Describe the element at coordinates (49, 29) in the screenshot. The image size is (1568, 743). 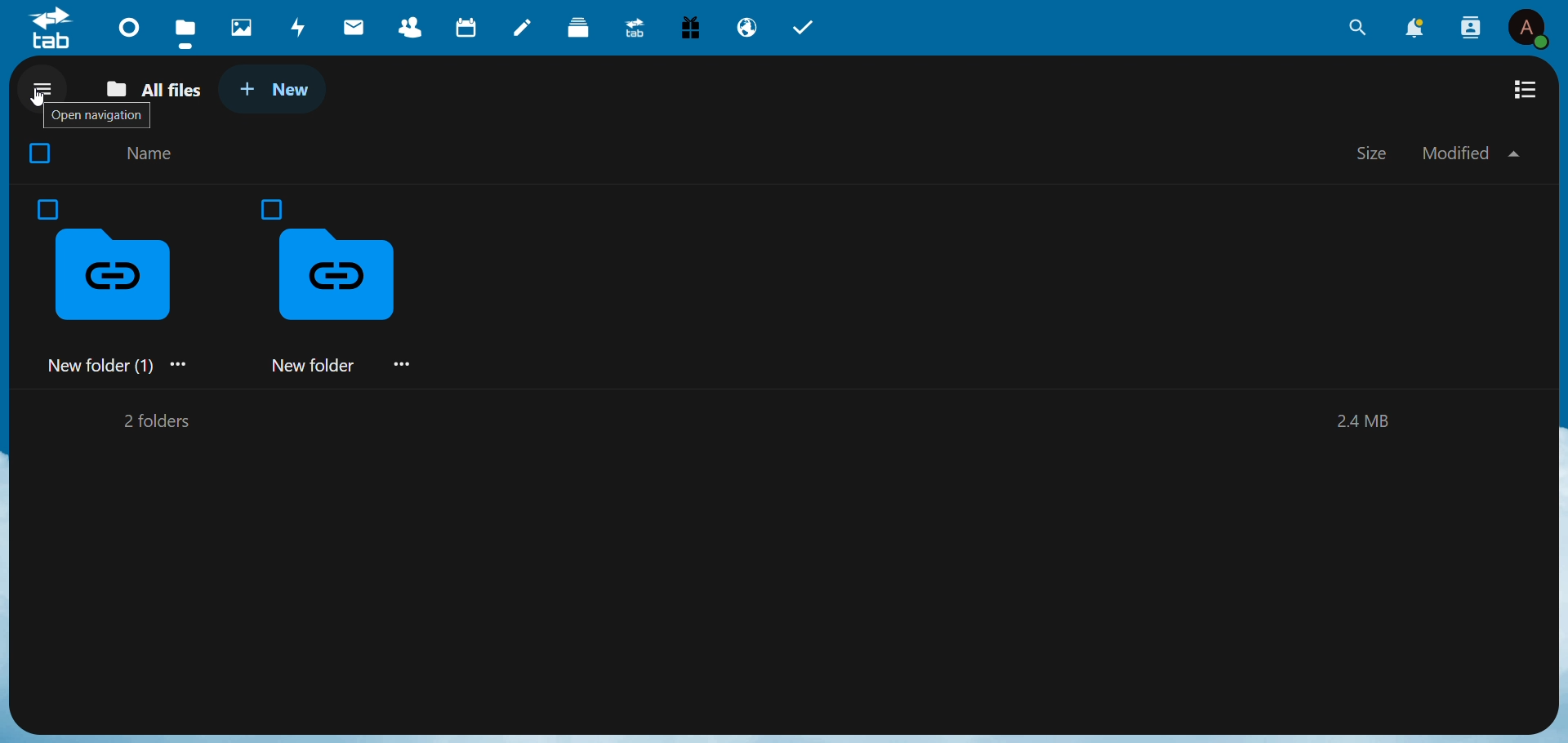
I see `logo` at that location.